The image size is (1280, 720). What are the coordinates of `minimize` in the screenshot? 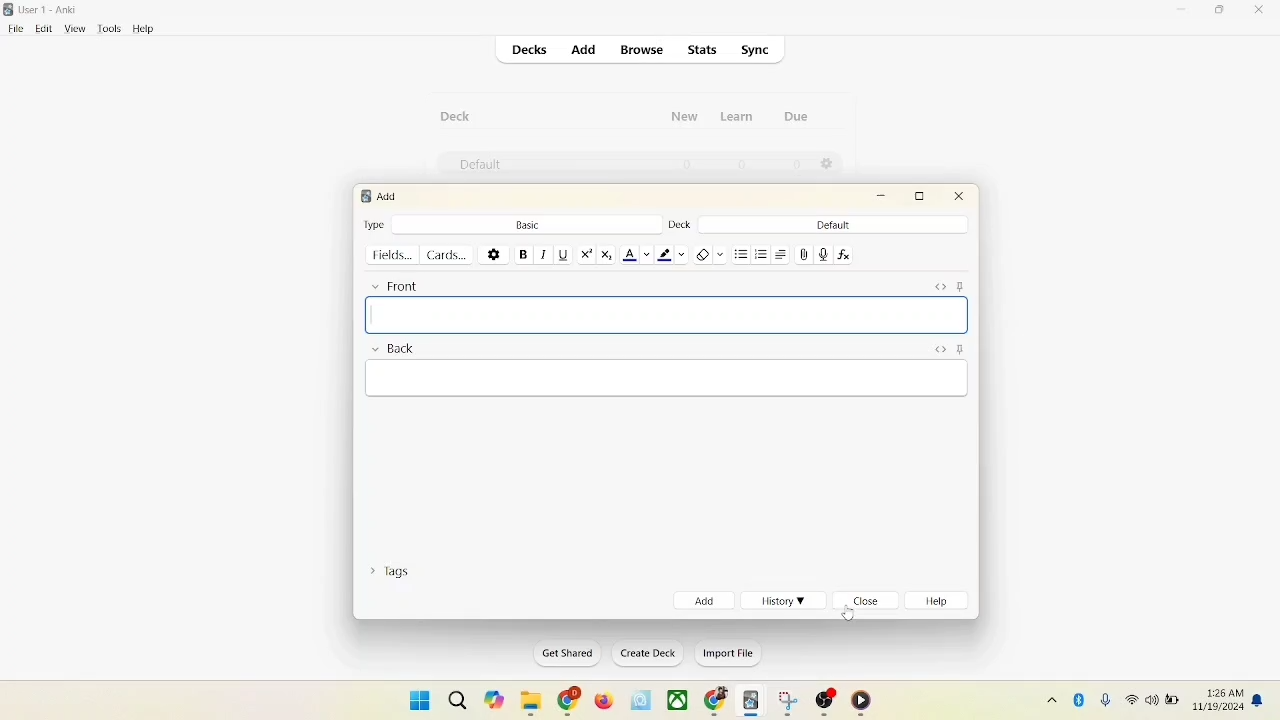 It's located at (1183, 11).